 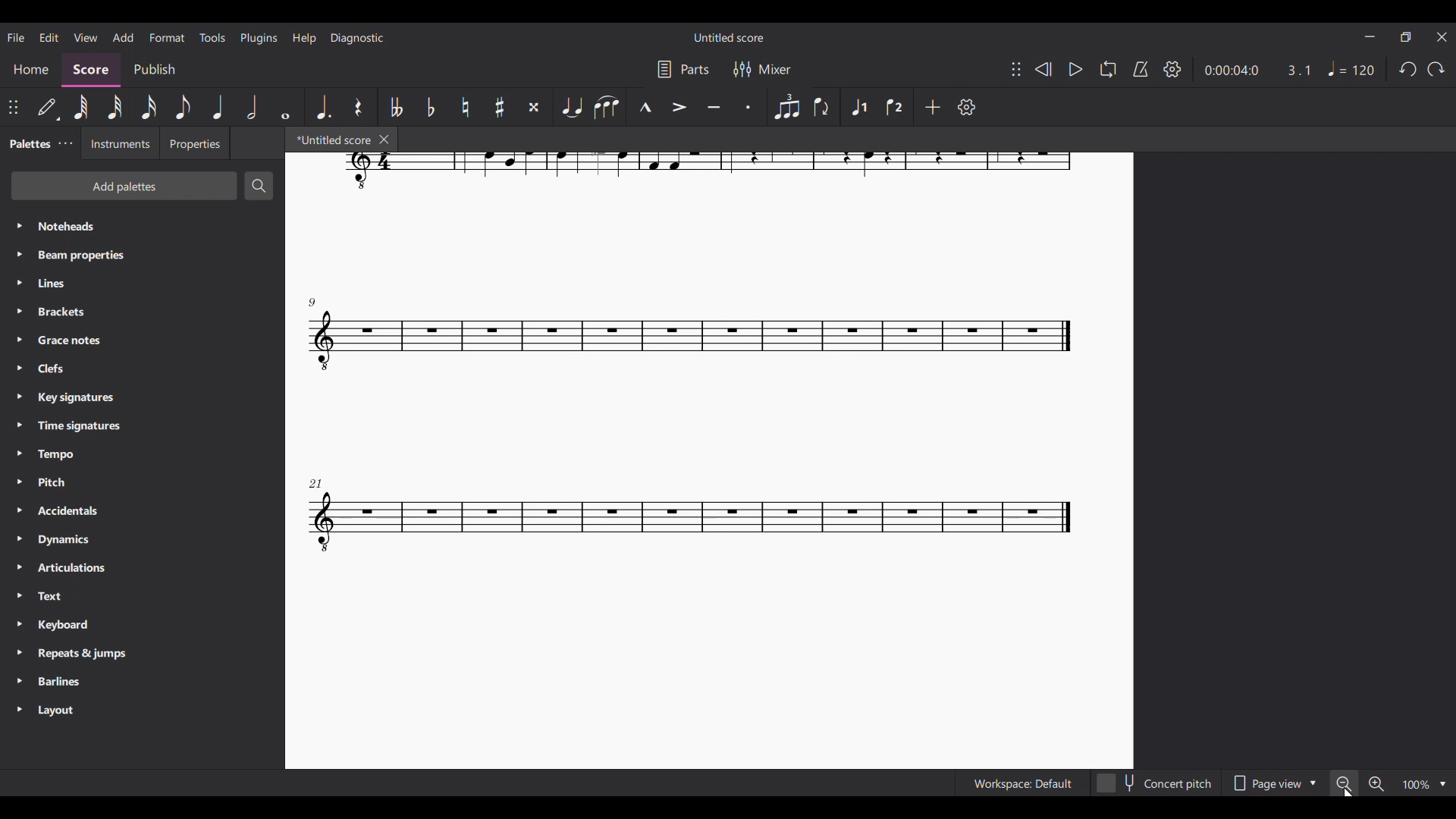 I want to click on Search, so click(x=259, y=186).